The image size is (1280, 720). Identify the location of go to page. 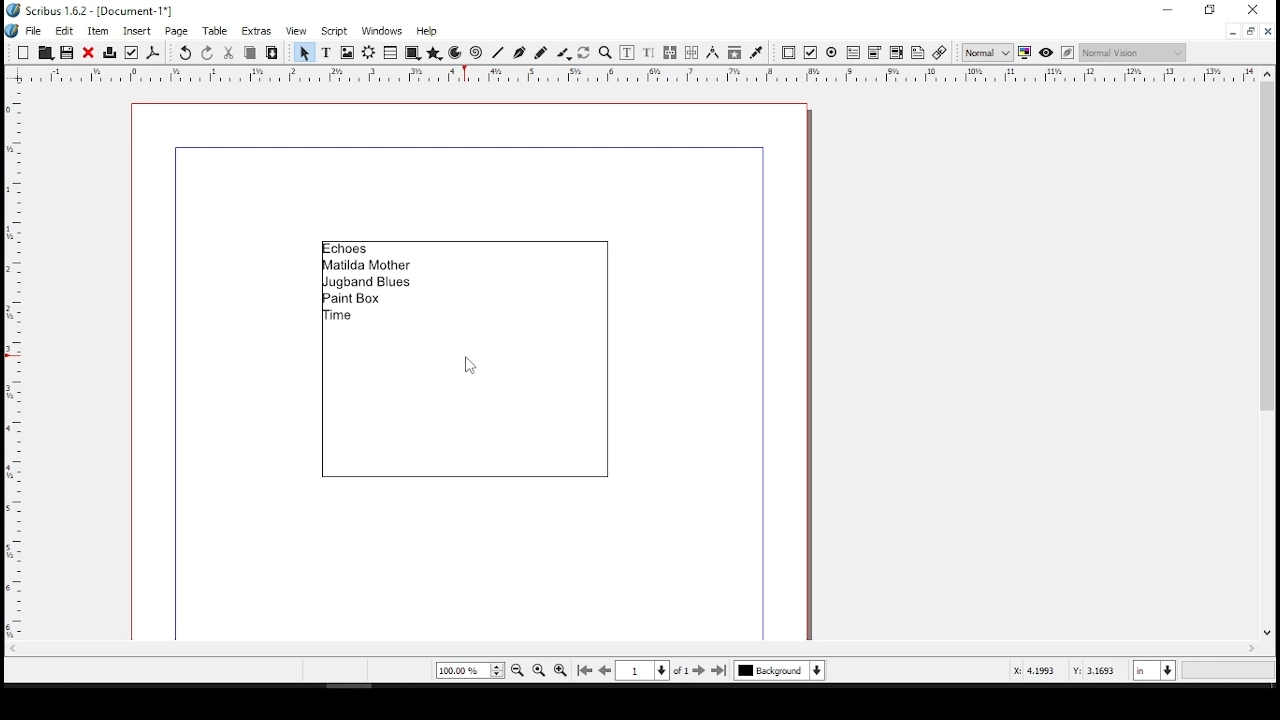
(652, 670).